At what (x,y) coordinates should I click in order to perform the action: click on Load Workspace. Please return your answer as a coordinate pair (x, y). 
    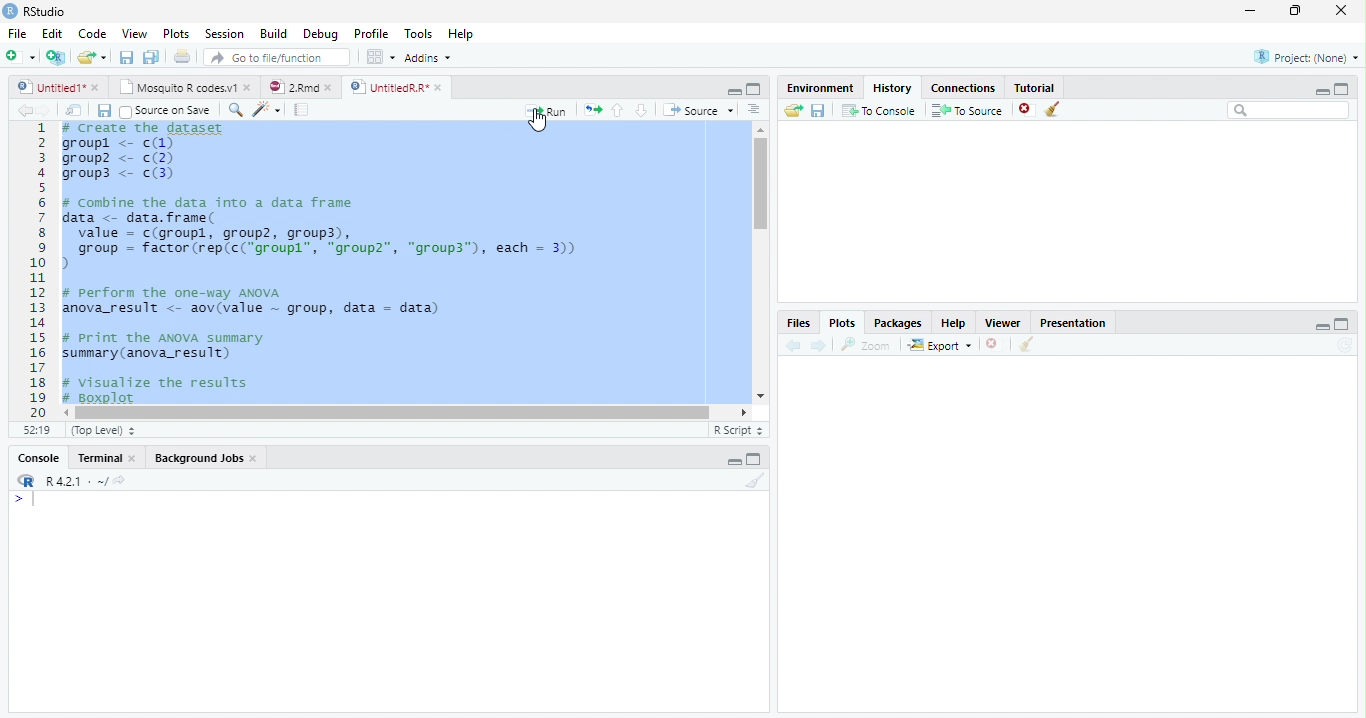
    Looking at the image, I should click on (794, 111).